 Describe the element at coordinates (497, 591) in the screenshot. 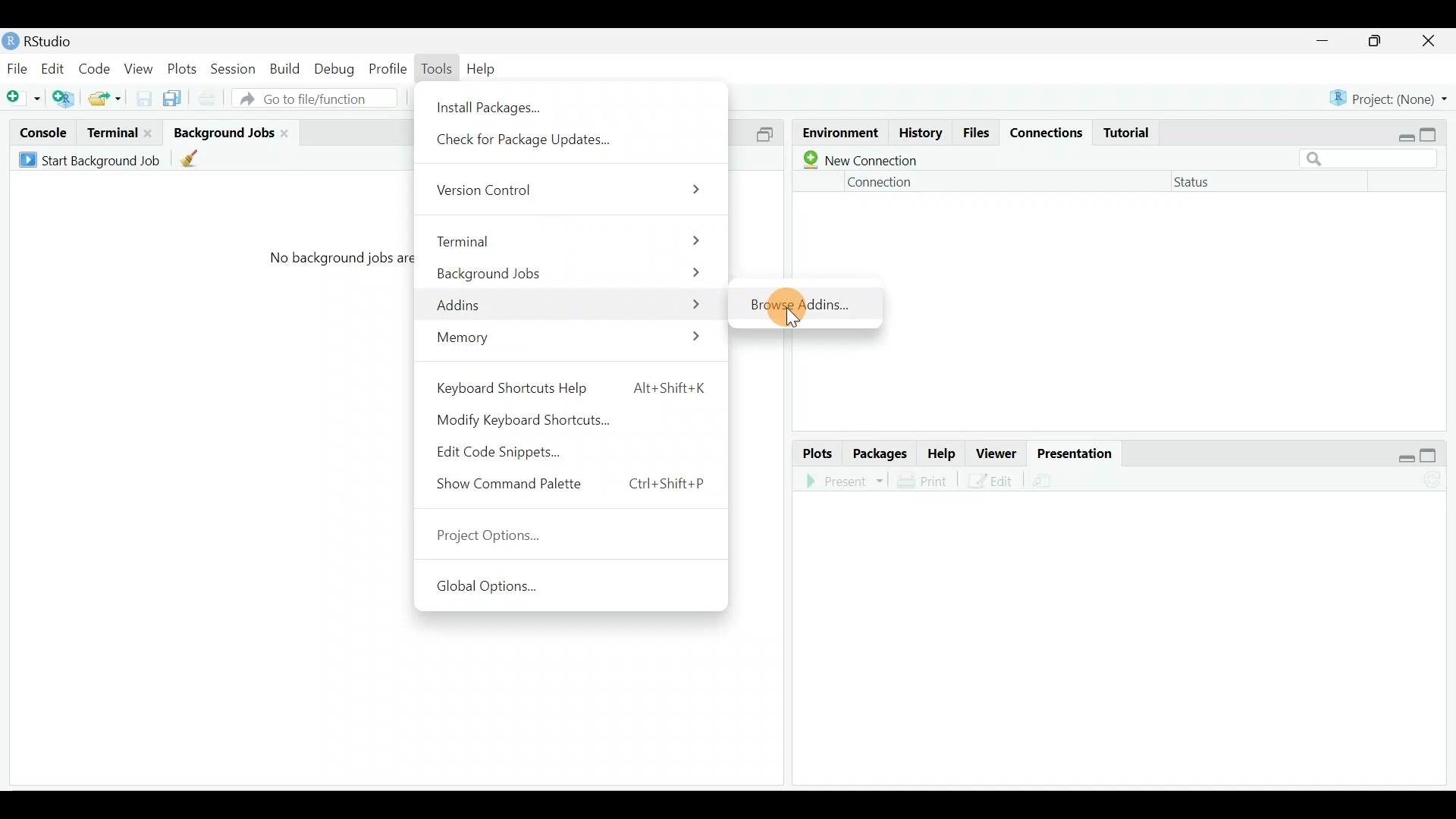

I see `Global Options...` at that location.